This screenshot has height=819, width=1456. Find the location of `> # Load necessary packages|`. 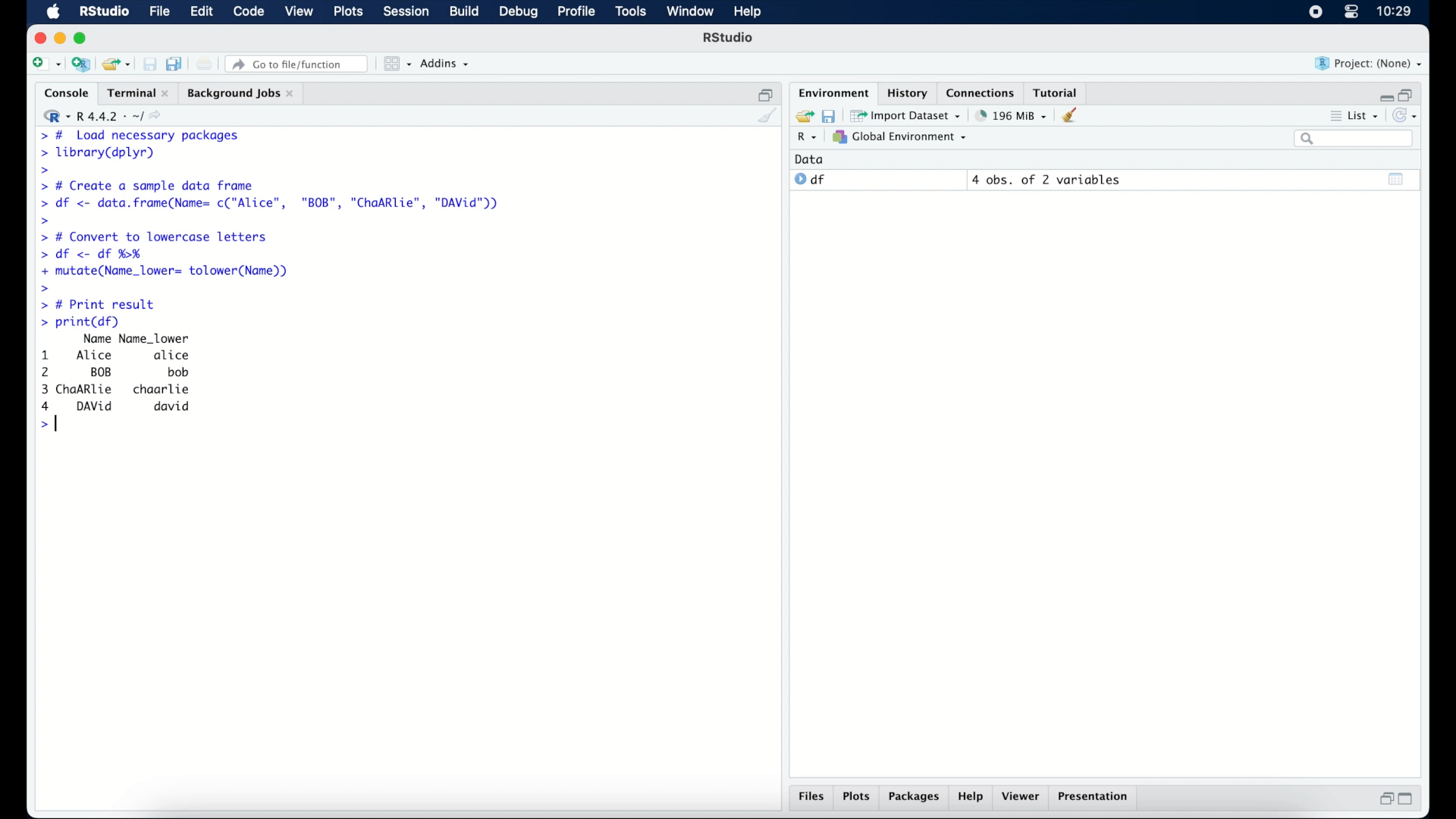

> # Load necessary packages| is located at coordinates (138, 134).